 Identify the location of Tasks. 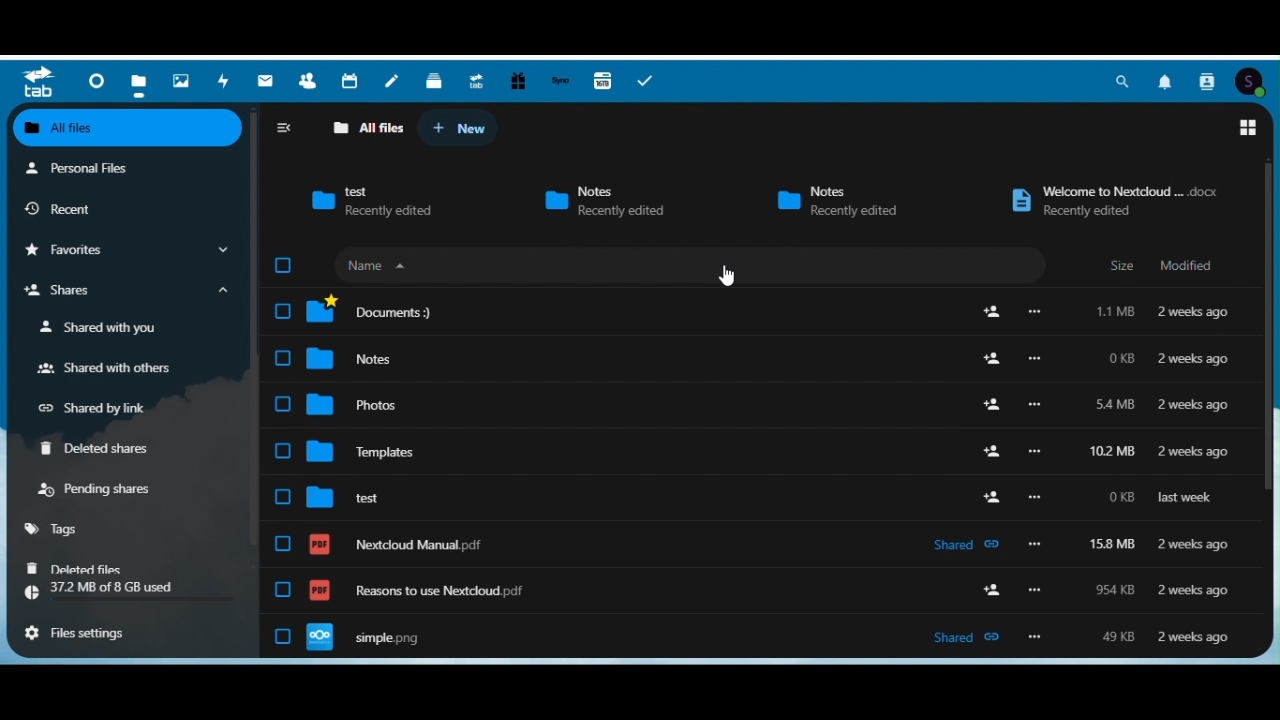
(647, 82).